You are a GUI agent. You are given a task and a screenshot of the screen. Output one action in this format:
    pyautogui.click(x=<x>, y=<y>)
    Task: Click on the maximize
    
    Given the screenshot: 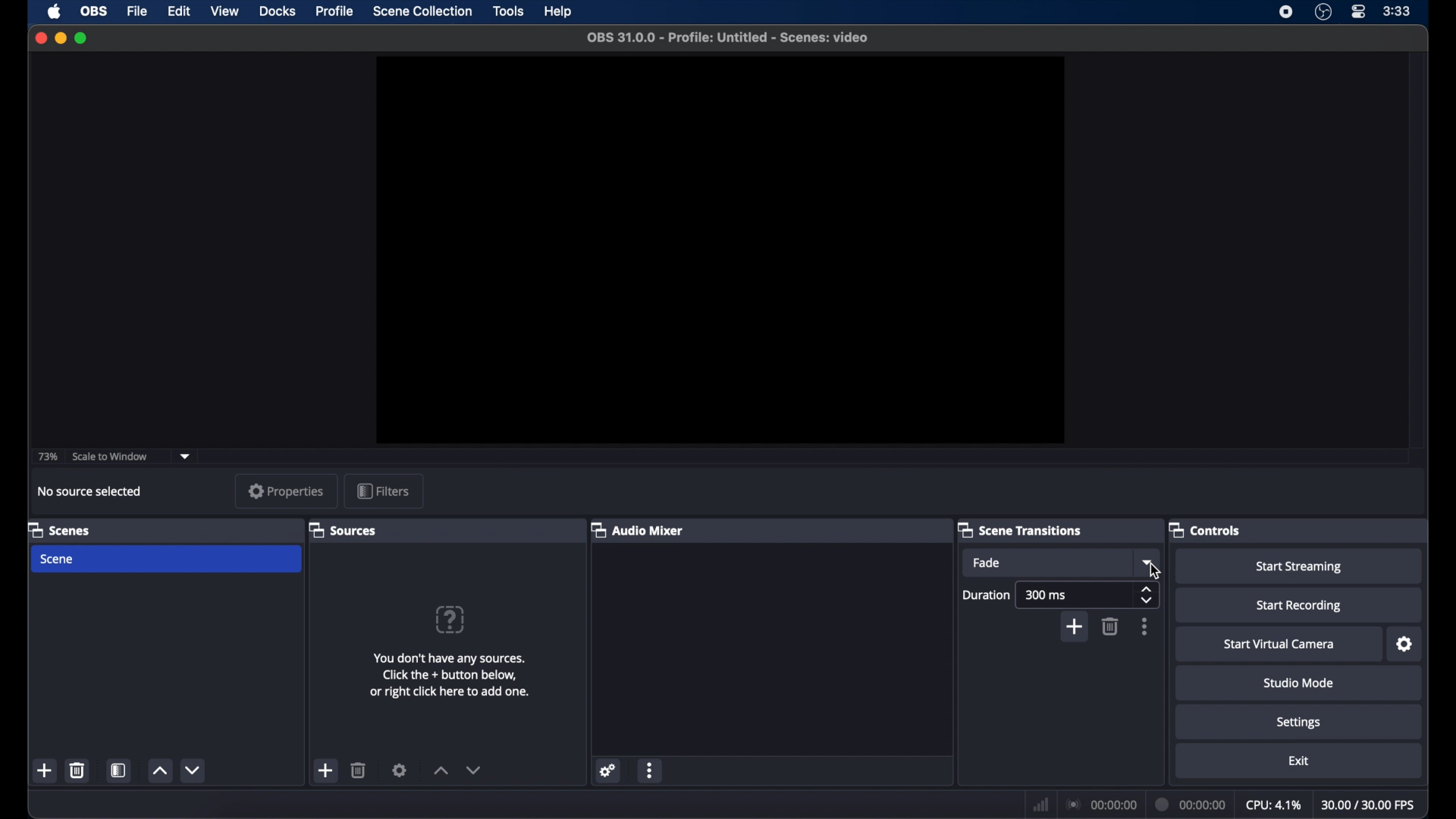 What is the action you would take?
    pyautogui.click(x=82, y=38)
    